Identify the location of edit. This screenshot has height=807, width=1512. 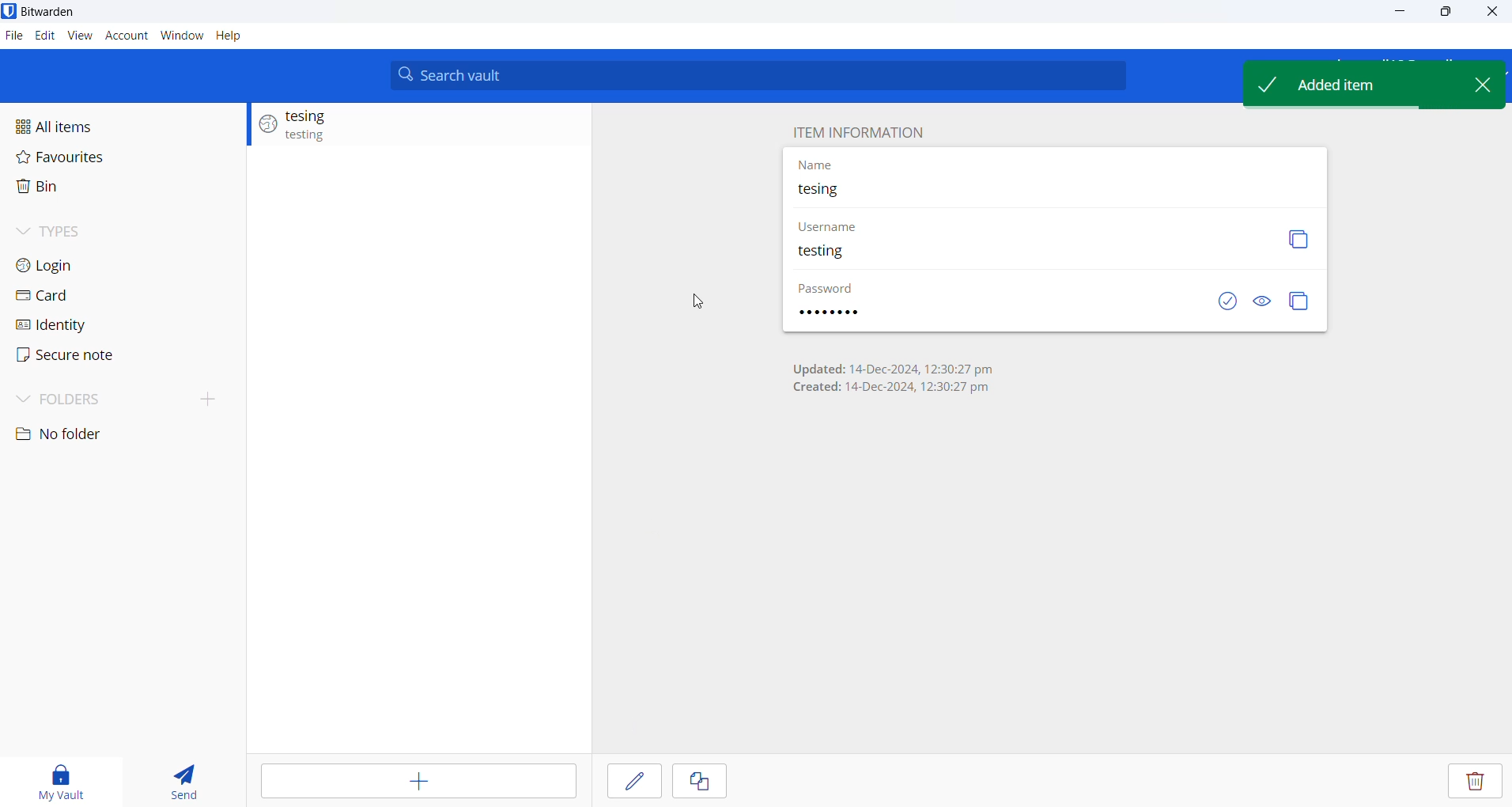
(633, 782).